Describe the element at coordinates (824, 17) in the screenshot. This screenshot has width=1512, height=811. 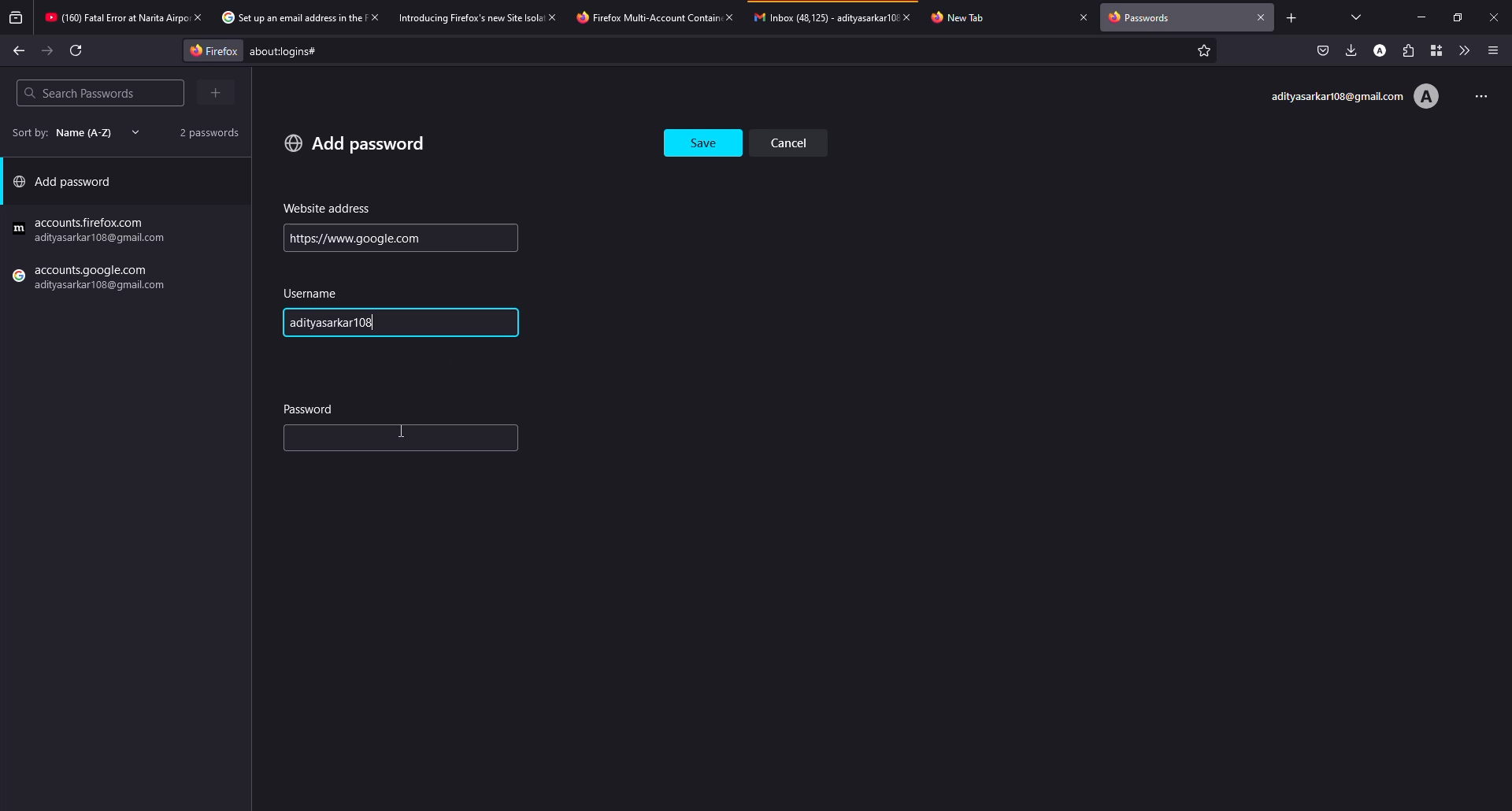
I see `tab` at that location.